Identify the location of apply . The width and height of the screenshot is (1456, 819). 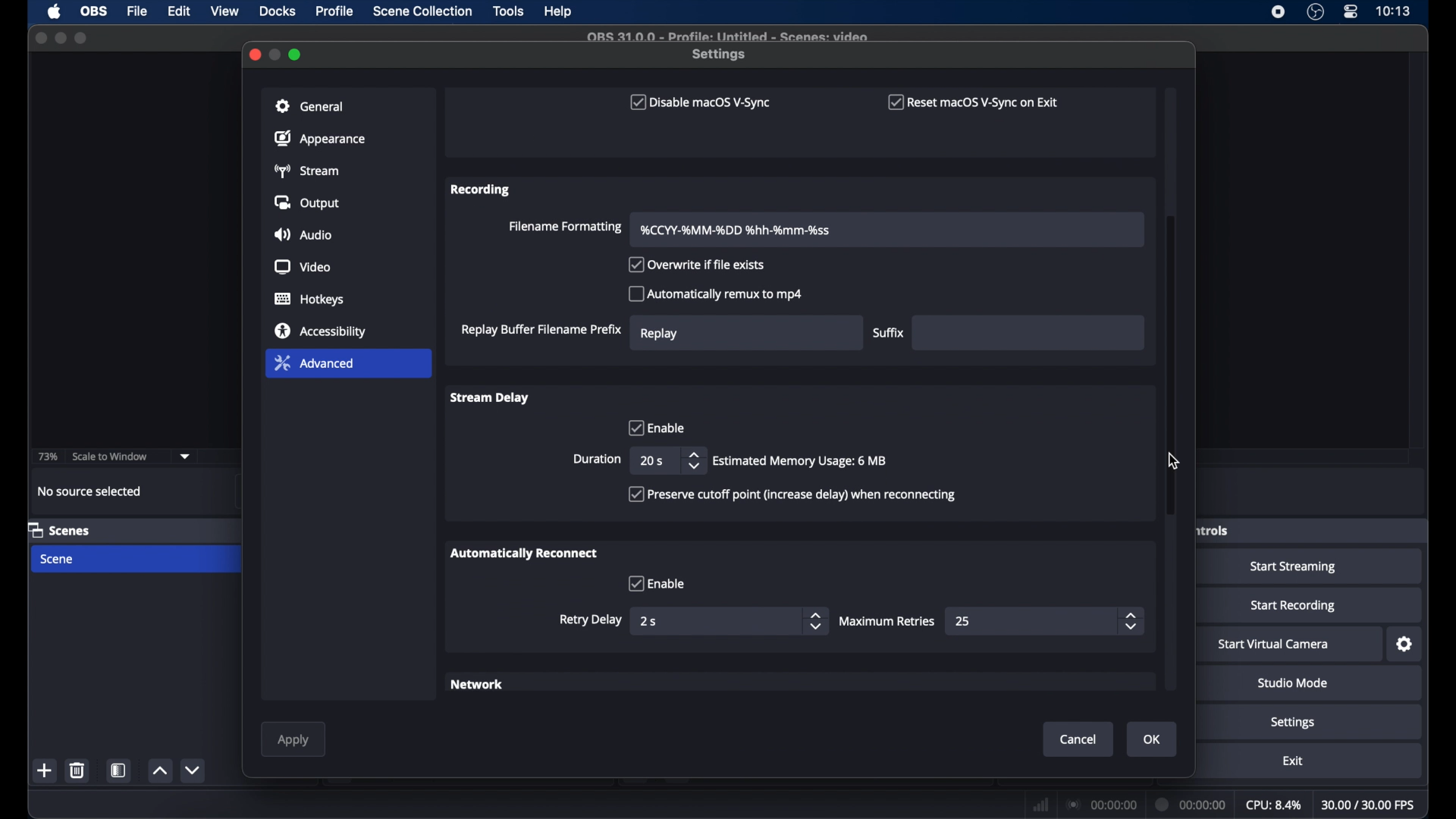
(293, 740).